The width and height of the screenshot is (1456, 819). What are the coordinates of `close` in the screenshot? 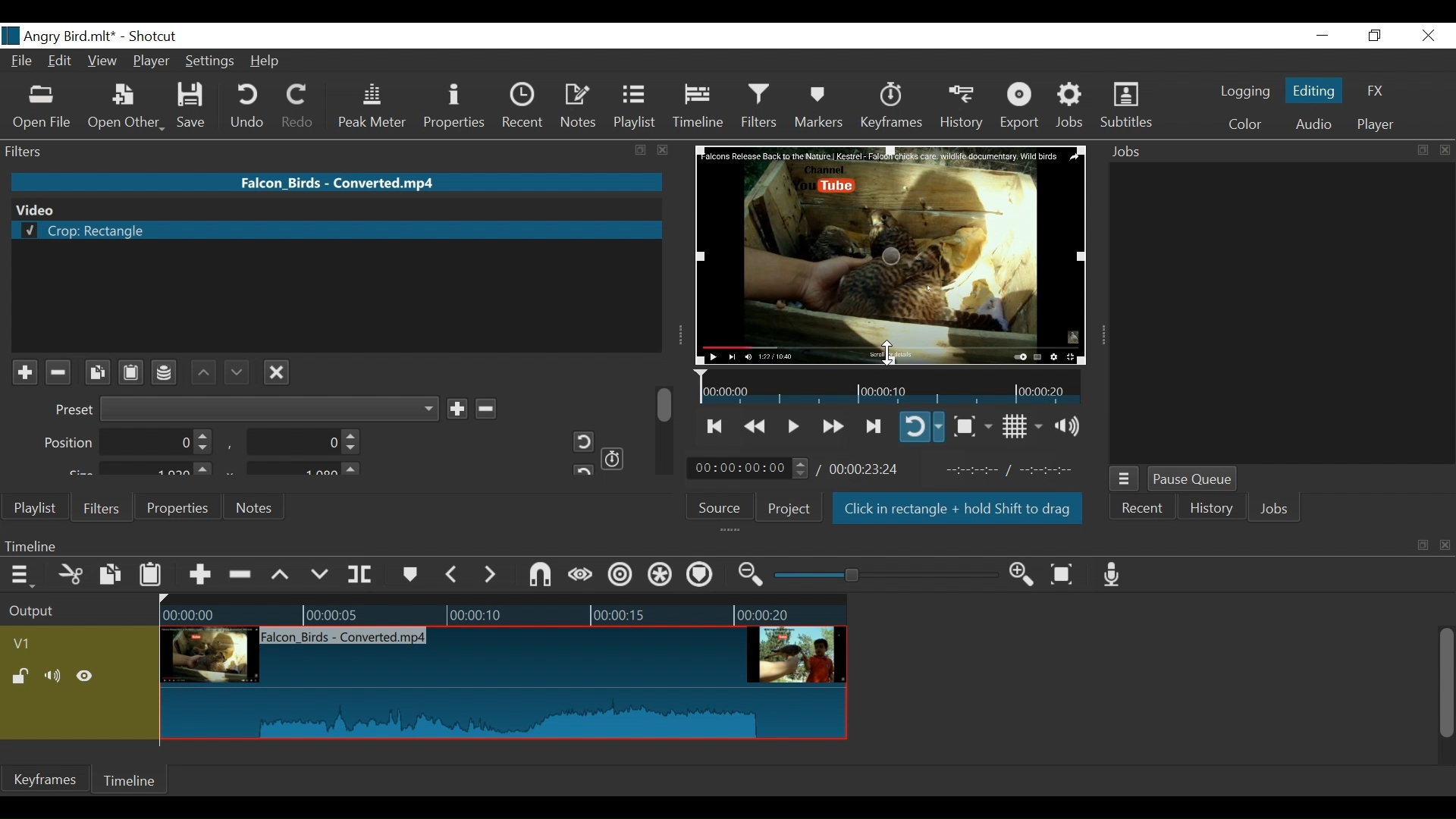 It's located at (664, 150).